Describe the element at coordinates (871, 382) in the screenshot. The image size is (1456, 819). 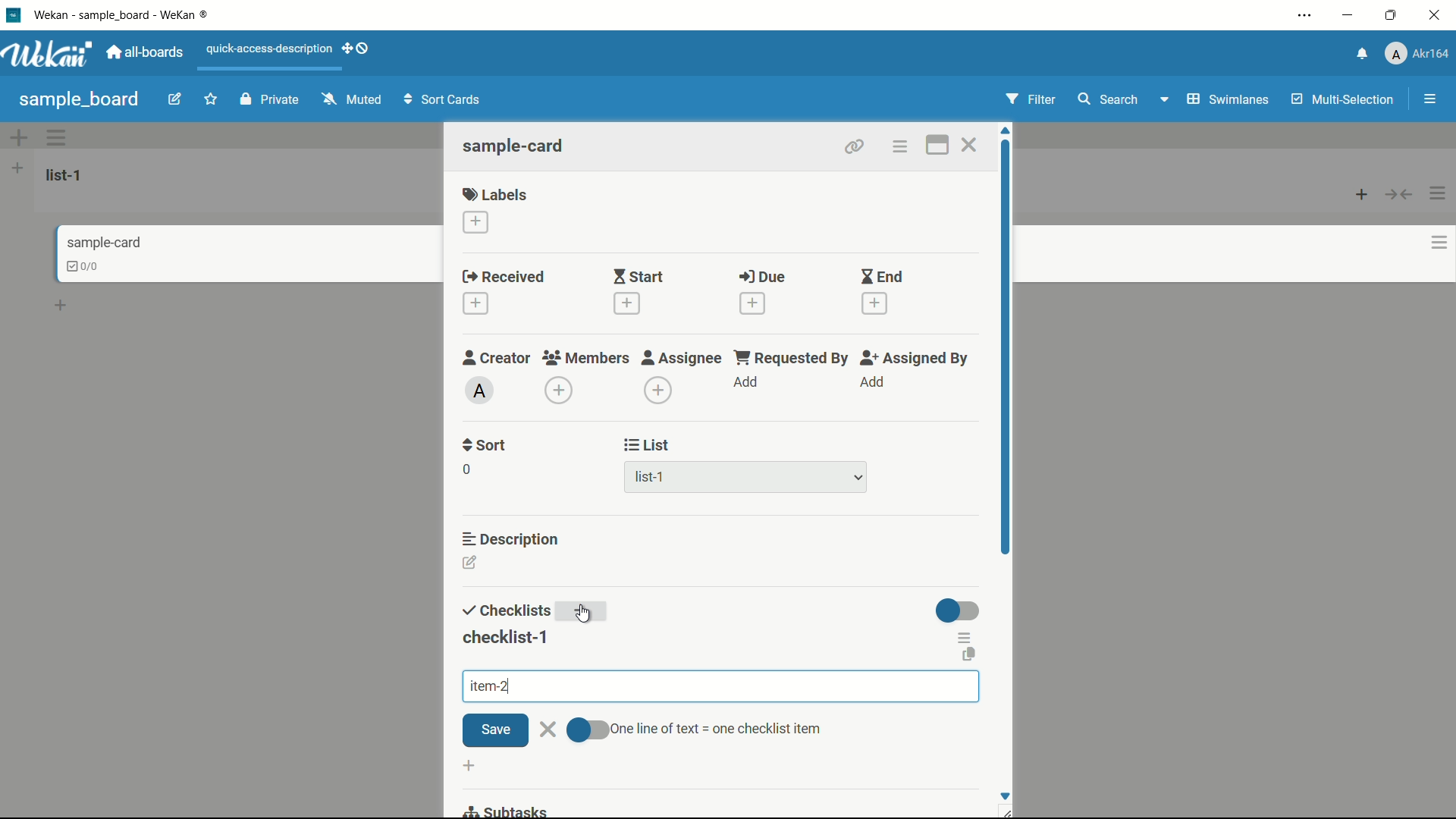
I see `add` at that location.